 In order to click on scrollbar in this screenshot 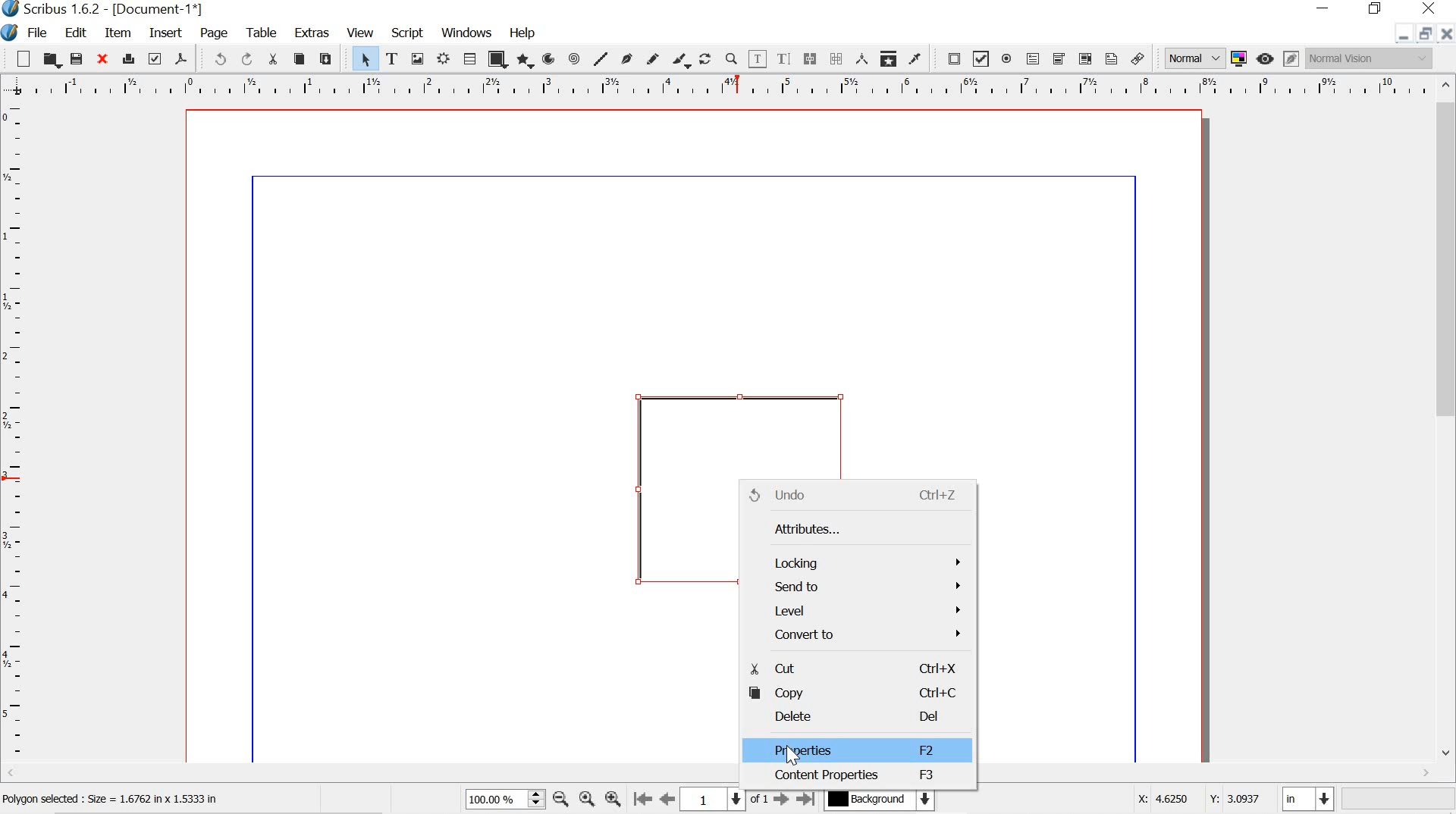, I will do `click(1447, 418)`.